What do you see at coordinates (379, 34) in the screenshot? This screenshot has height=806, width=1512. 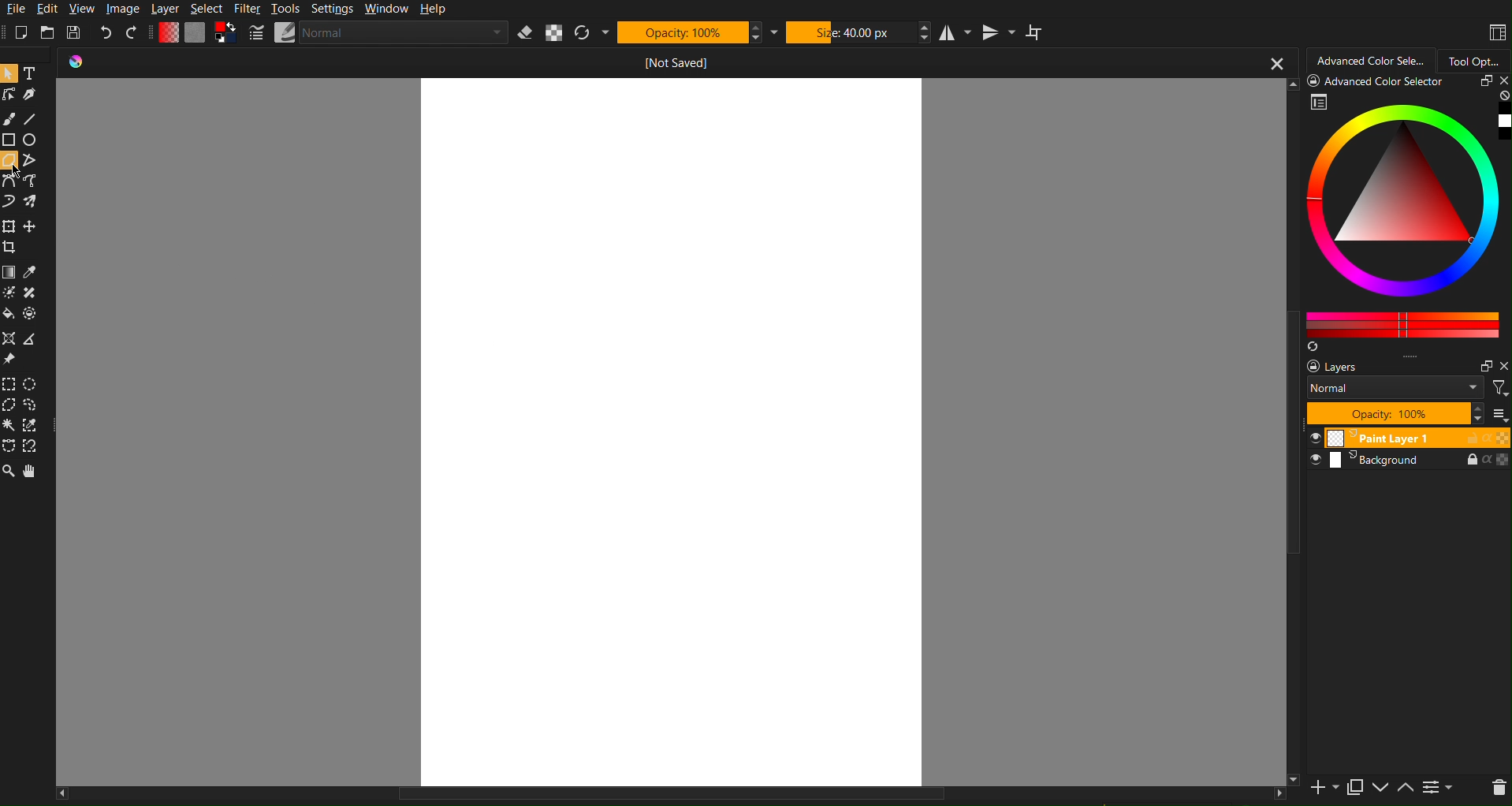 I see `Brush Settings` at bounding box center [379, 34].